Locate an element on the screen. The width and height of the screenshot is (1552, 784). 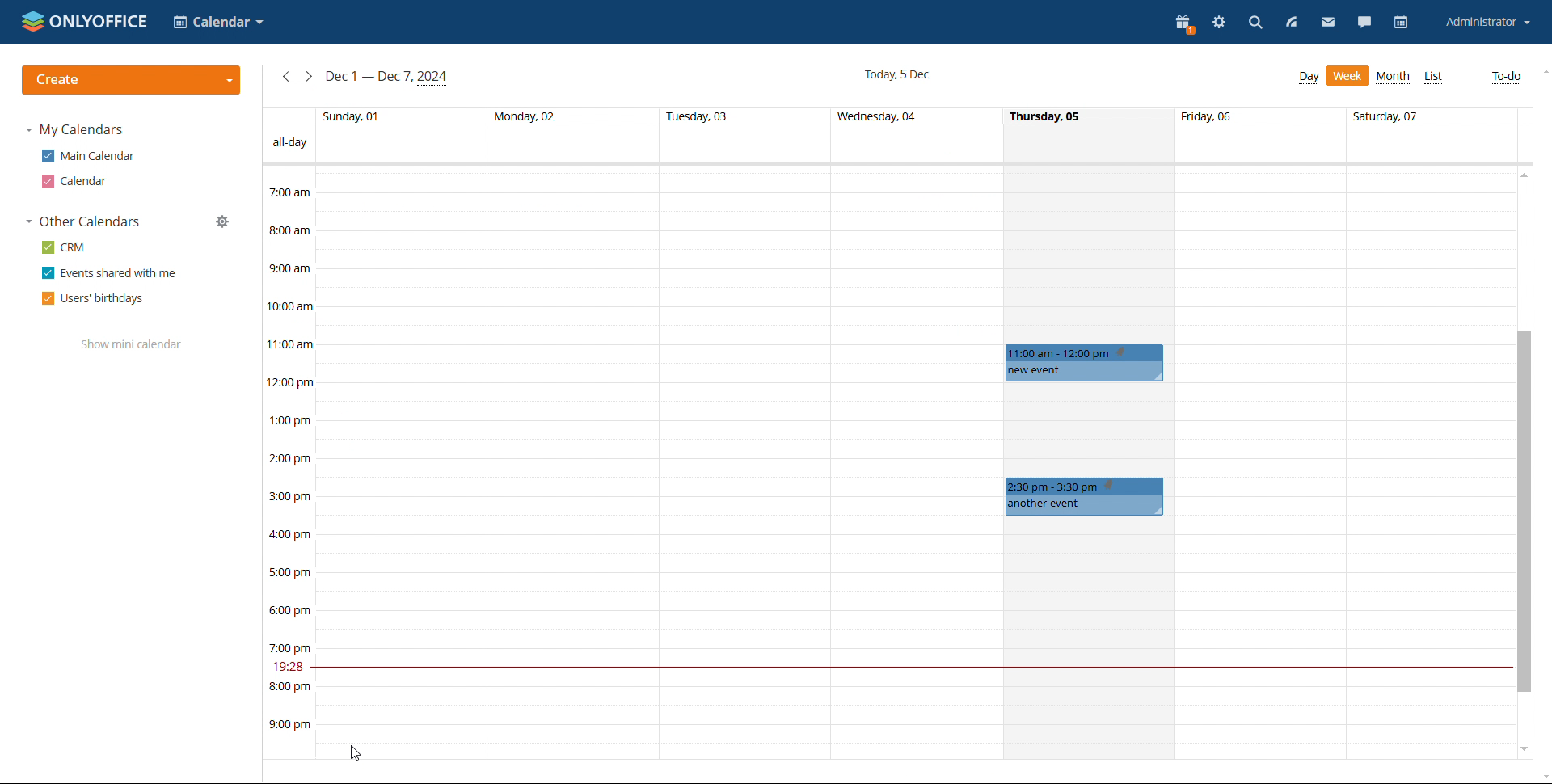
2:00 pm is located at coordinates (290, 458).